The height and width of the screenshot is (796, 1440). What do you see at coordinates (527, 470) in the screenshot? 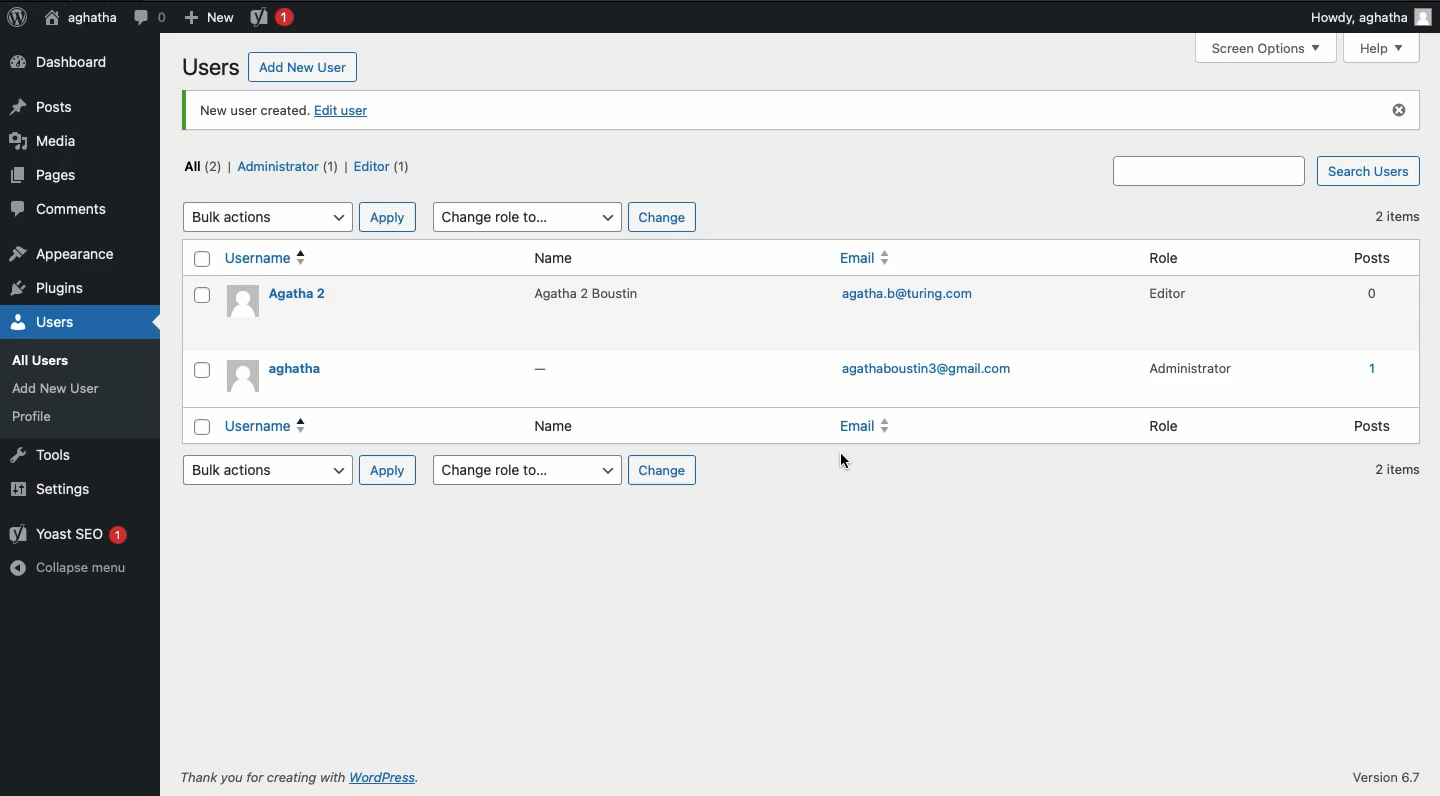
I see `Change role to` at bounding box center [527, 470].